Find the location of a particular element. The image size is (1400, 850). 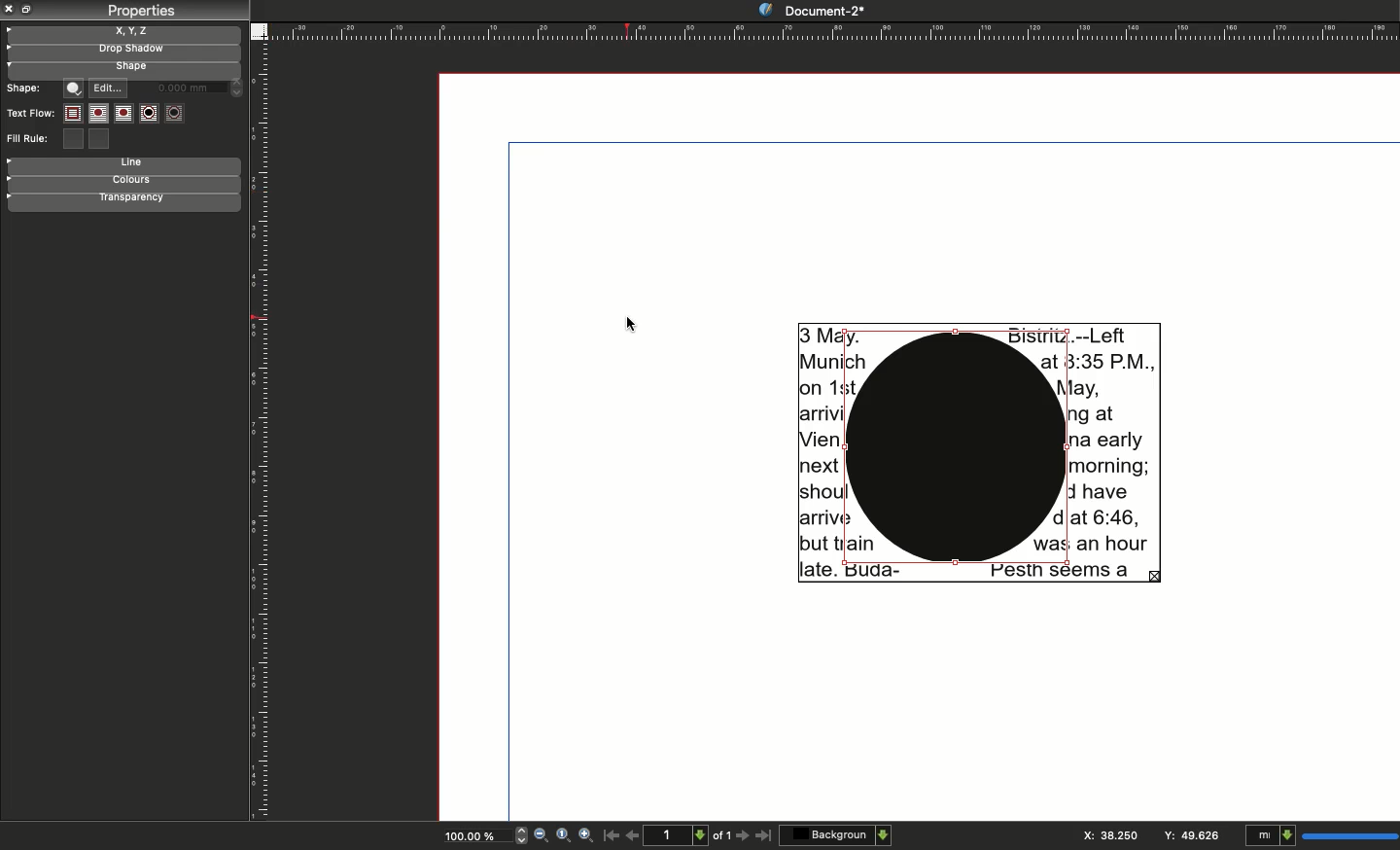

x: 106.626 is located at coordinates (1106, 834).